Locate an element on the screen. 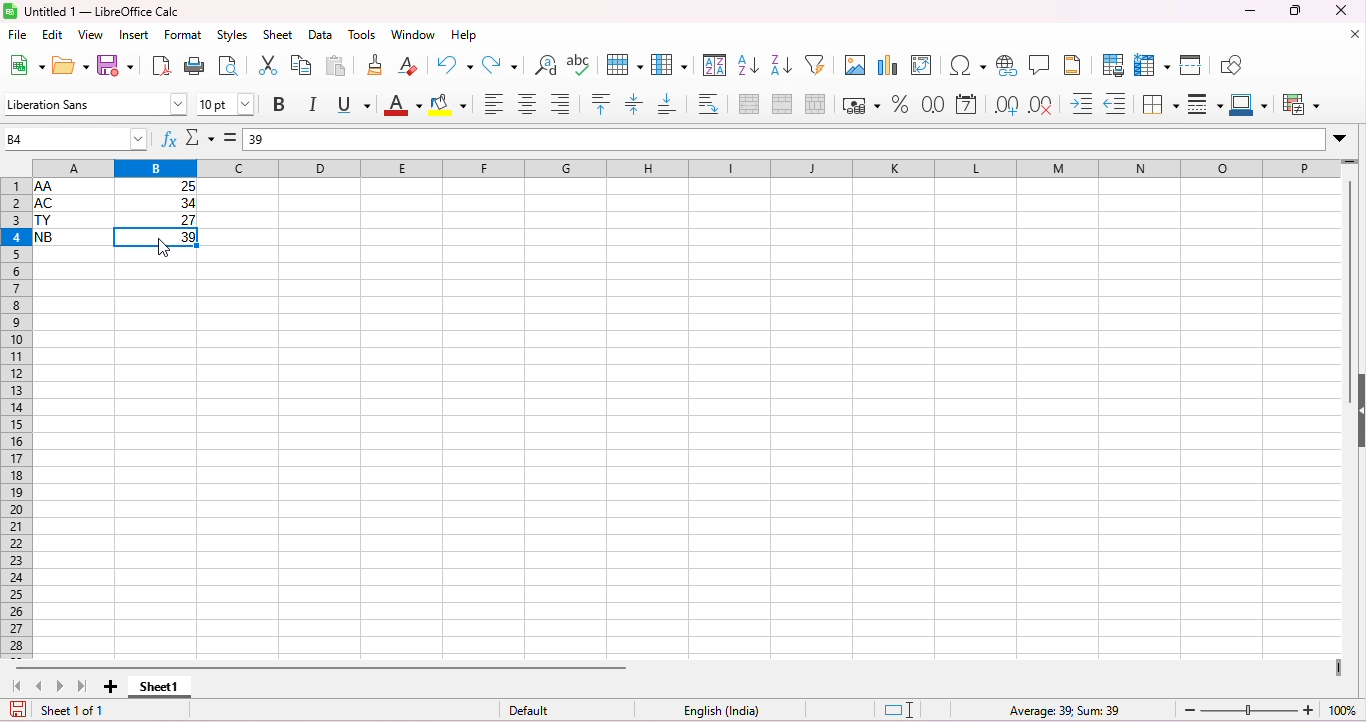  standard selection is located at coordinates (899, 711).